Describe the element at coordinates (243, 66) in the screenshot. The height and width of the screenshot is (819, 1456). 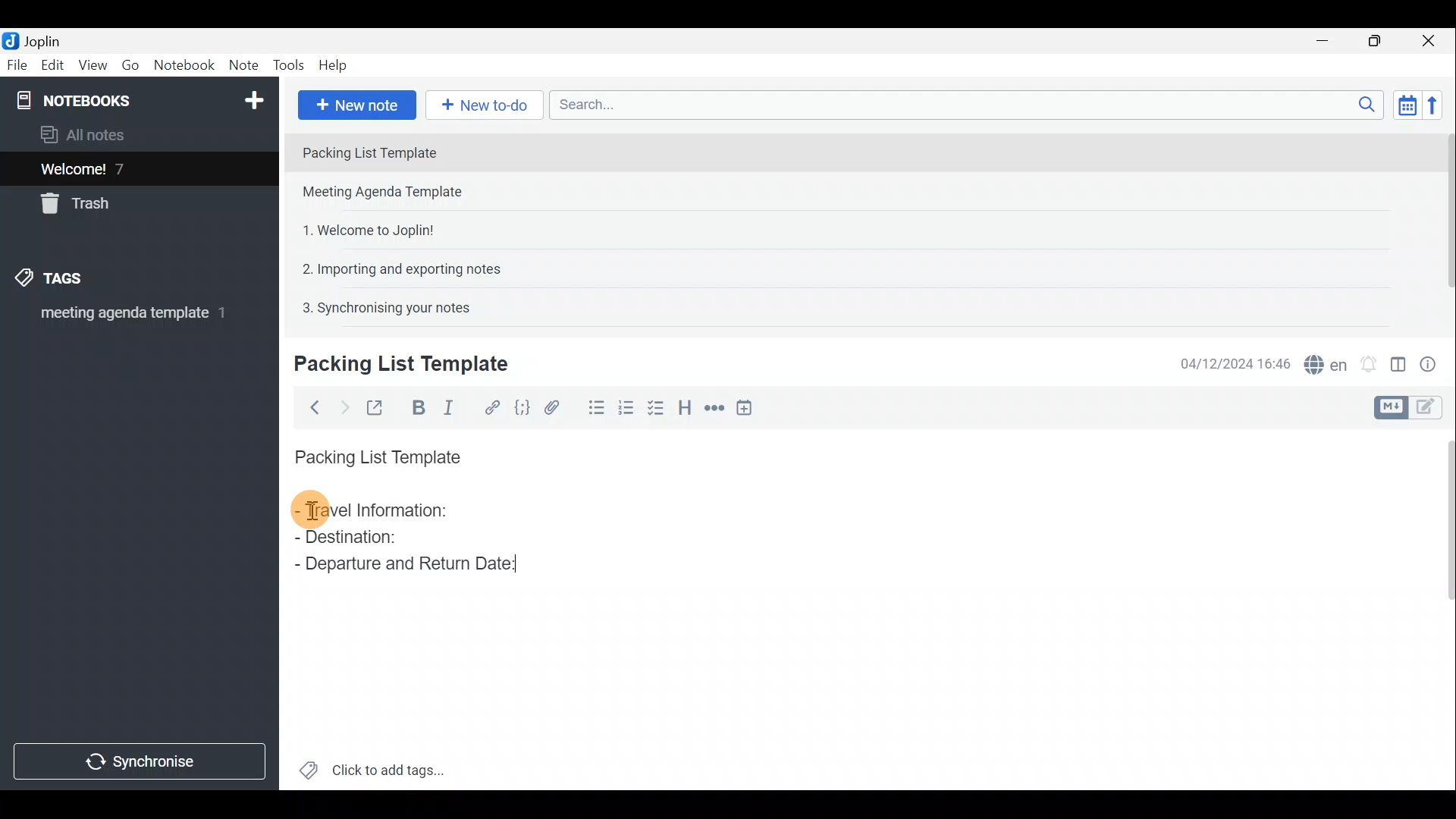
I see `Note` at that location.